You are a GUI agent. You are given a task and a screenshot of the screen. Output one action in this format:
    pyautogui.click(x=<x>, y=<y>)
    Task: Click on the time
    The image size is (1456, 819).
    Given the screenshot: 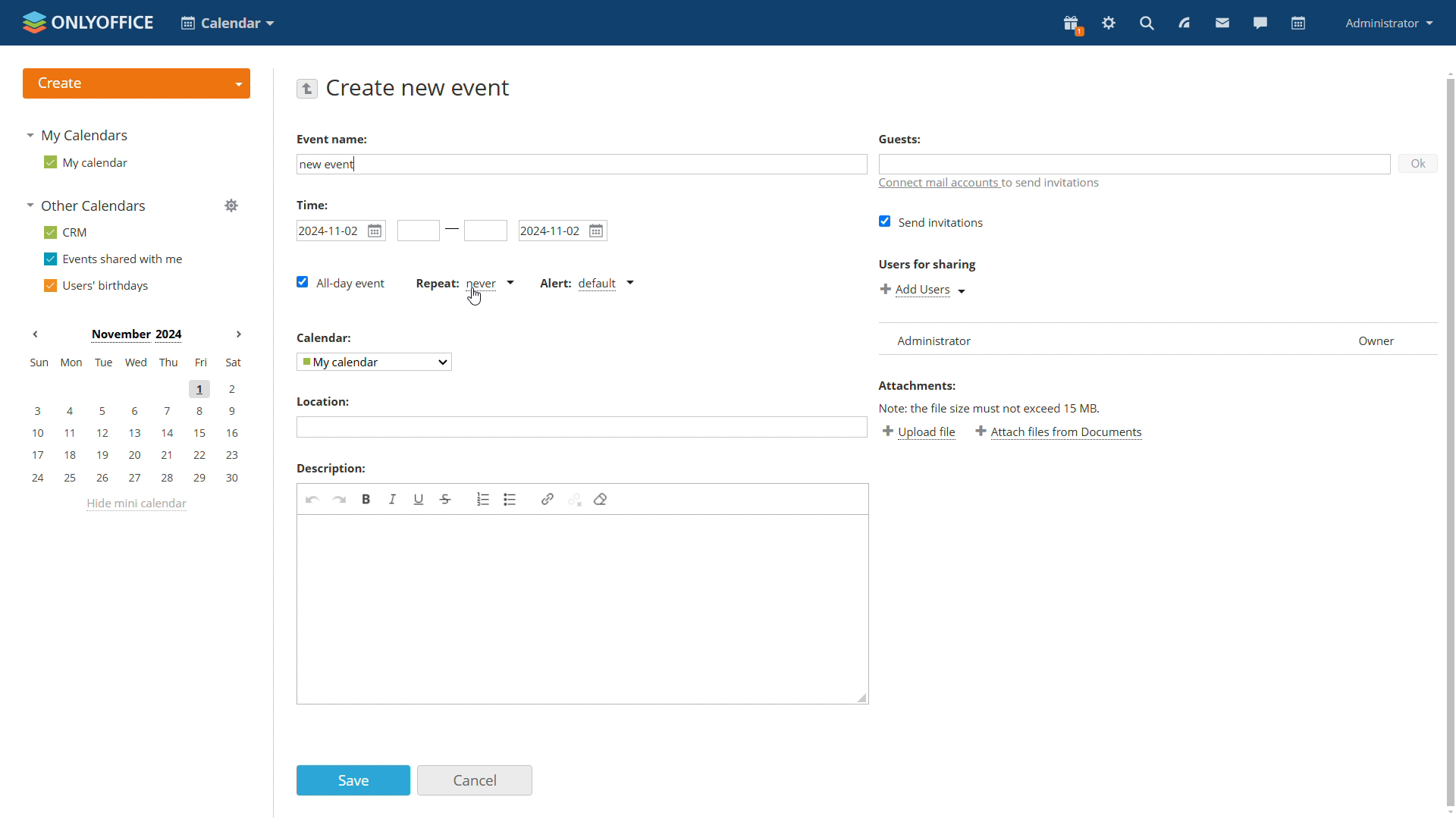 What is the action you would take?
    pyautogui.click(x=312, y=203)
    